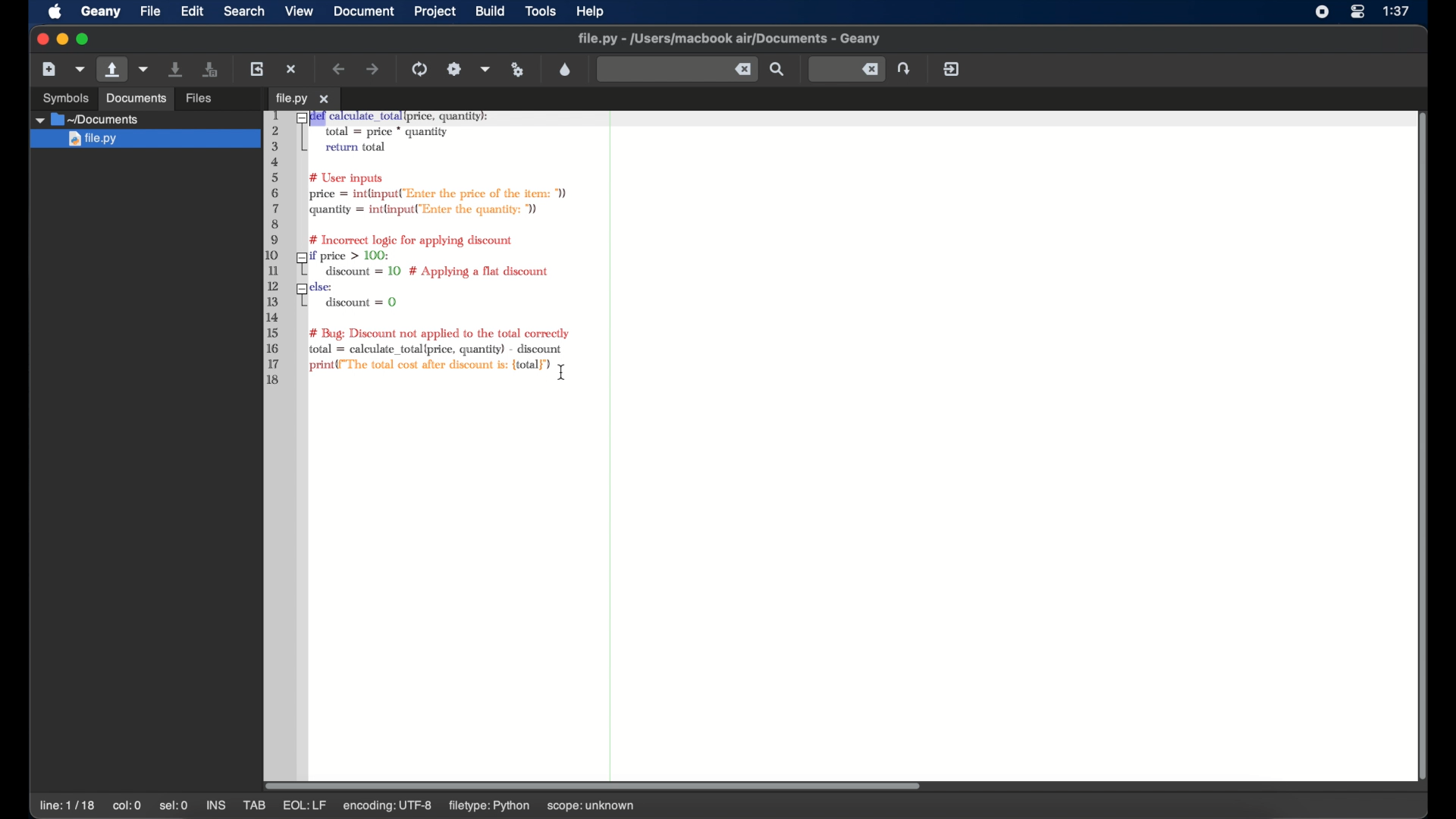 This screenshot has height=819, width=1456. Describe the element at coordinates (485, 69) in the screenshot. I see `choose more build actions` at that location.